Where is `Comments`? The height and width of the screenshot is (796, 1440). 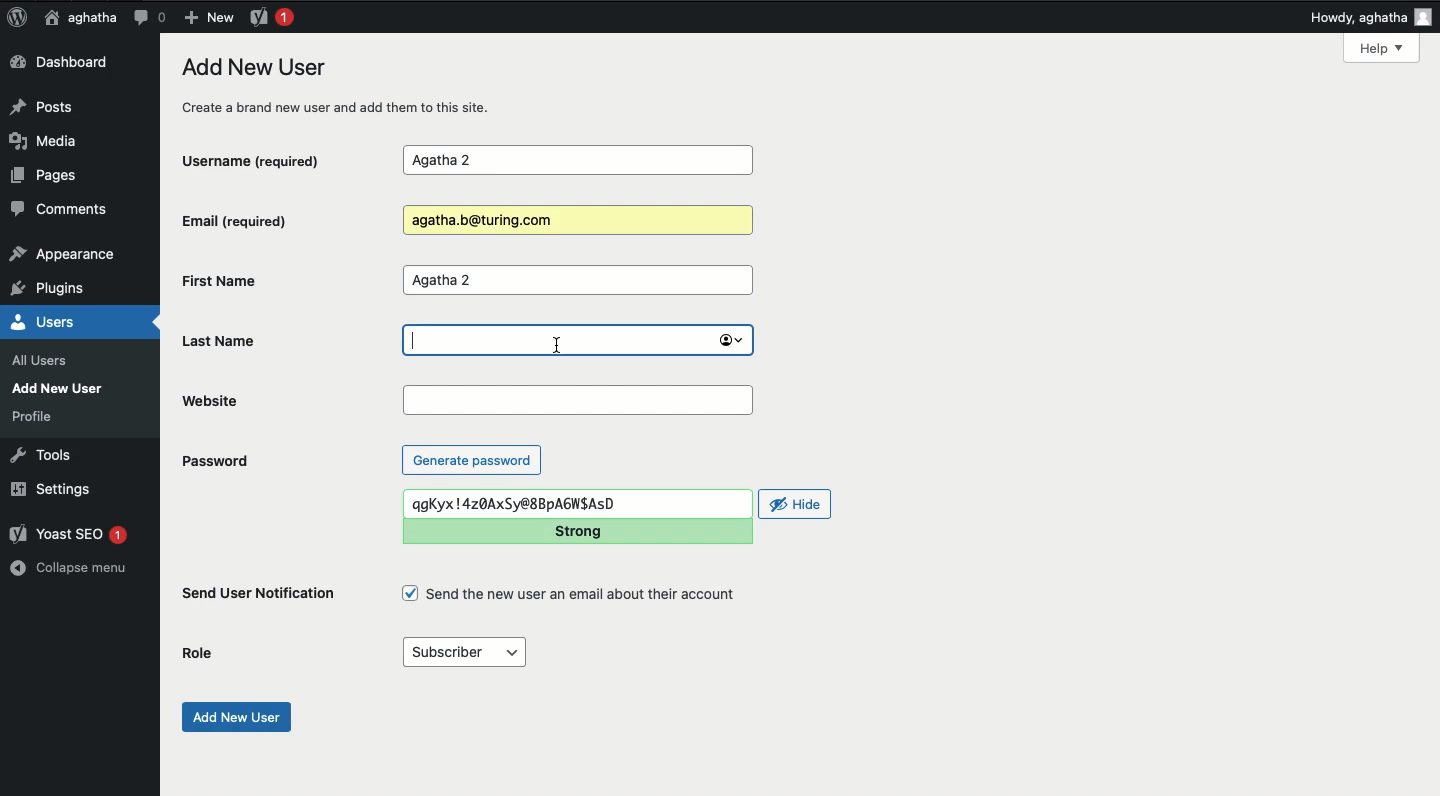 Comments is located at coordinates (61, 212).